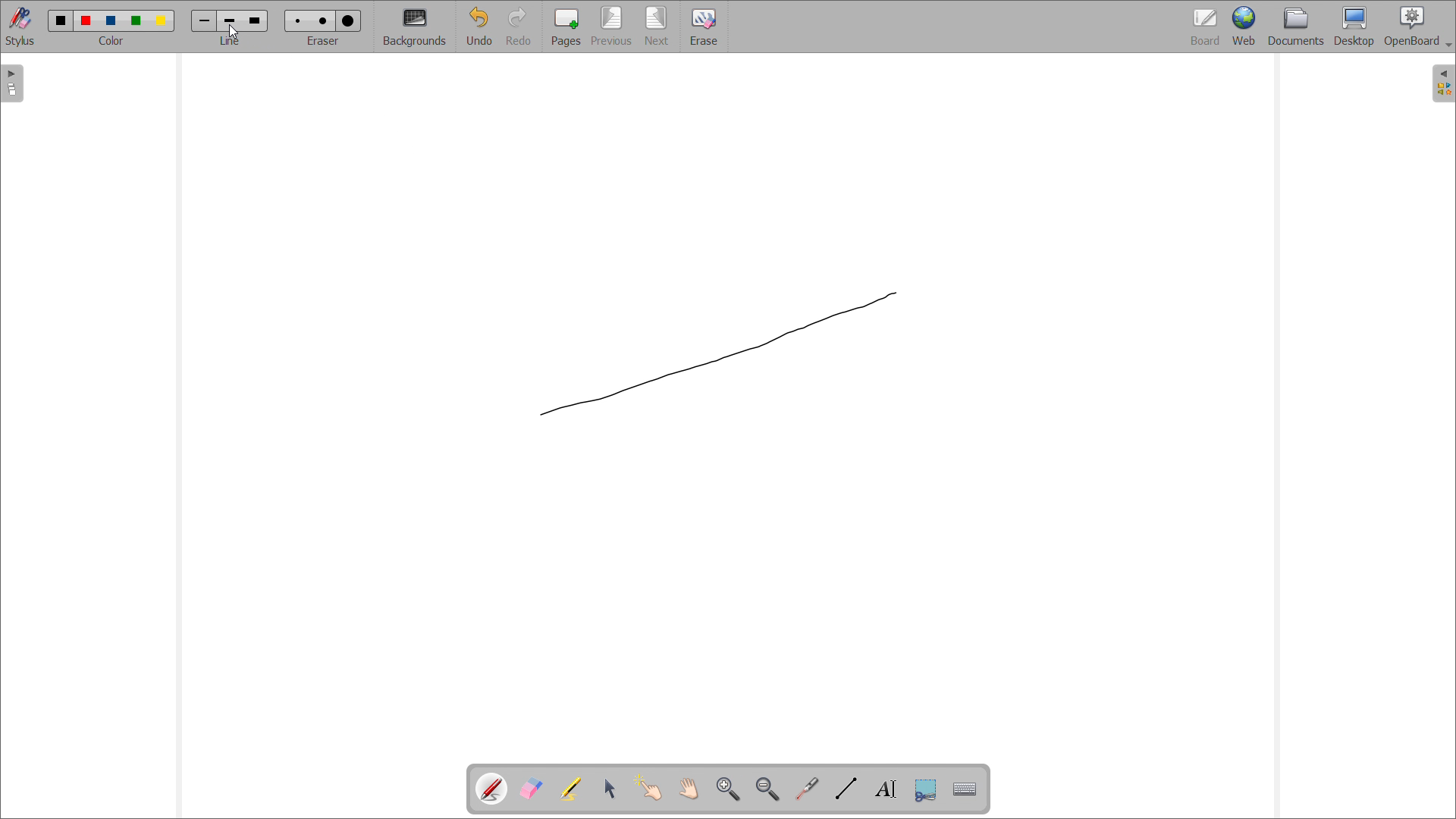 The image size is (1456, 819). What do you see at coordinates (519, 26) in the screenshot?
I see `redo` at bounding box center [519, 26].